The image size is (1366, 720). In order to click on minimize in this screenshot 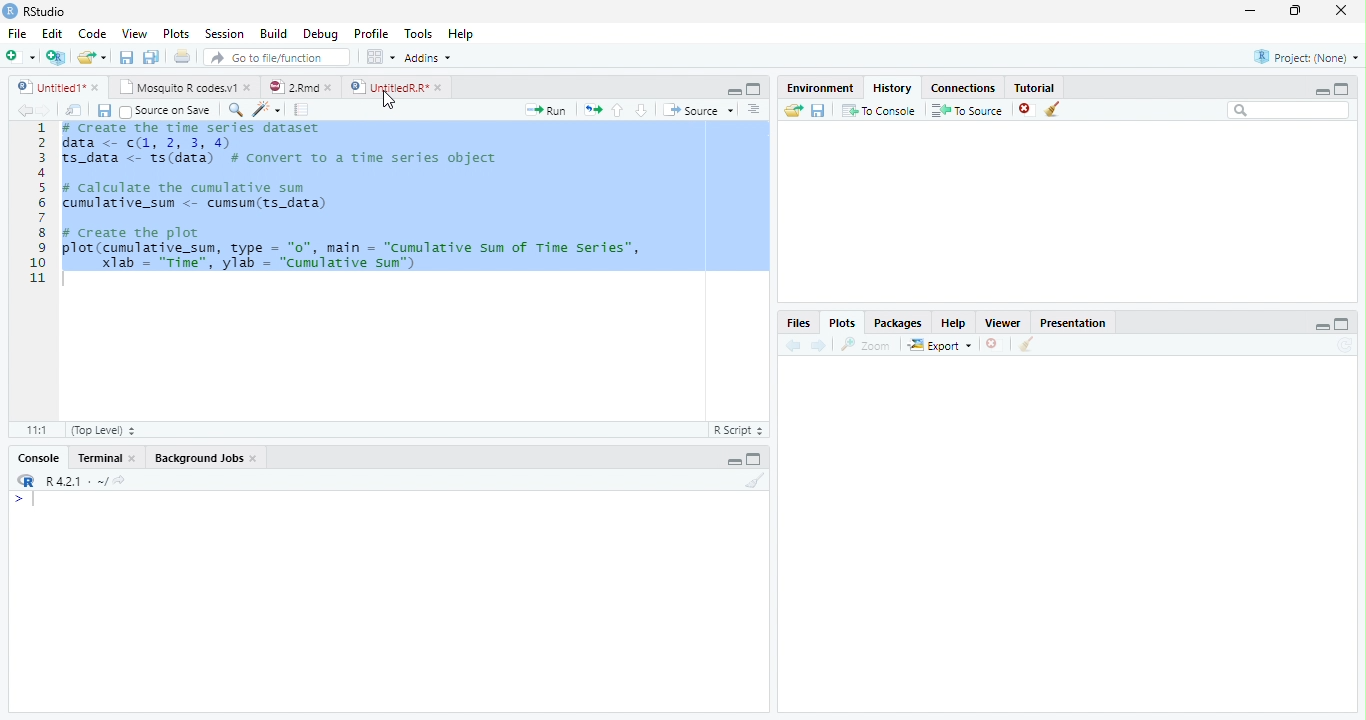, I will do `click(1249, 12)`.